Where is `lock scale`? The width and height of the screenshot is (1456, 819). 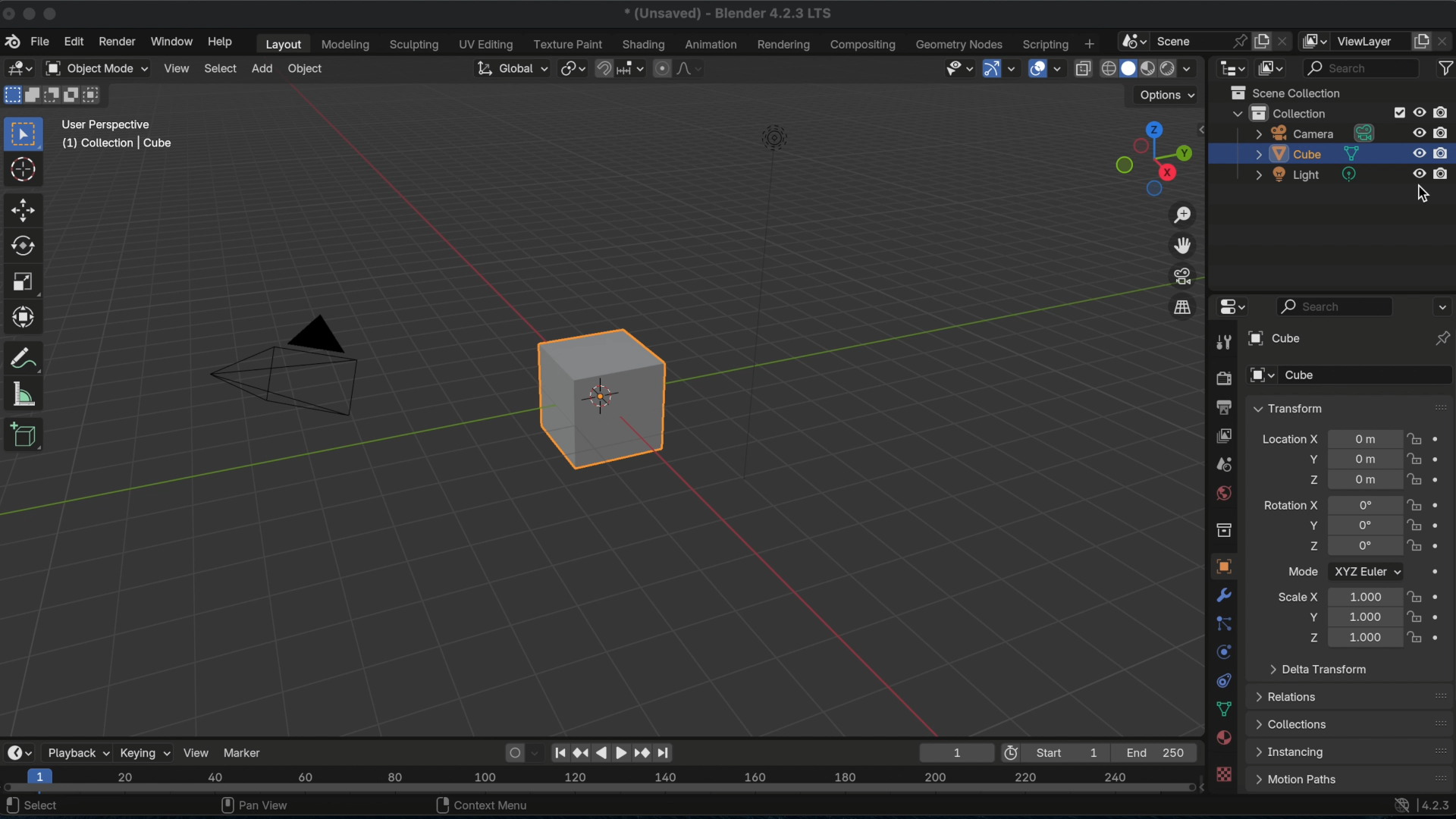
lock scale is located at coordinates (1413, 617).